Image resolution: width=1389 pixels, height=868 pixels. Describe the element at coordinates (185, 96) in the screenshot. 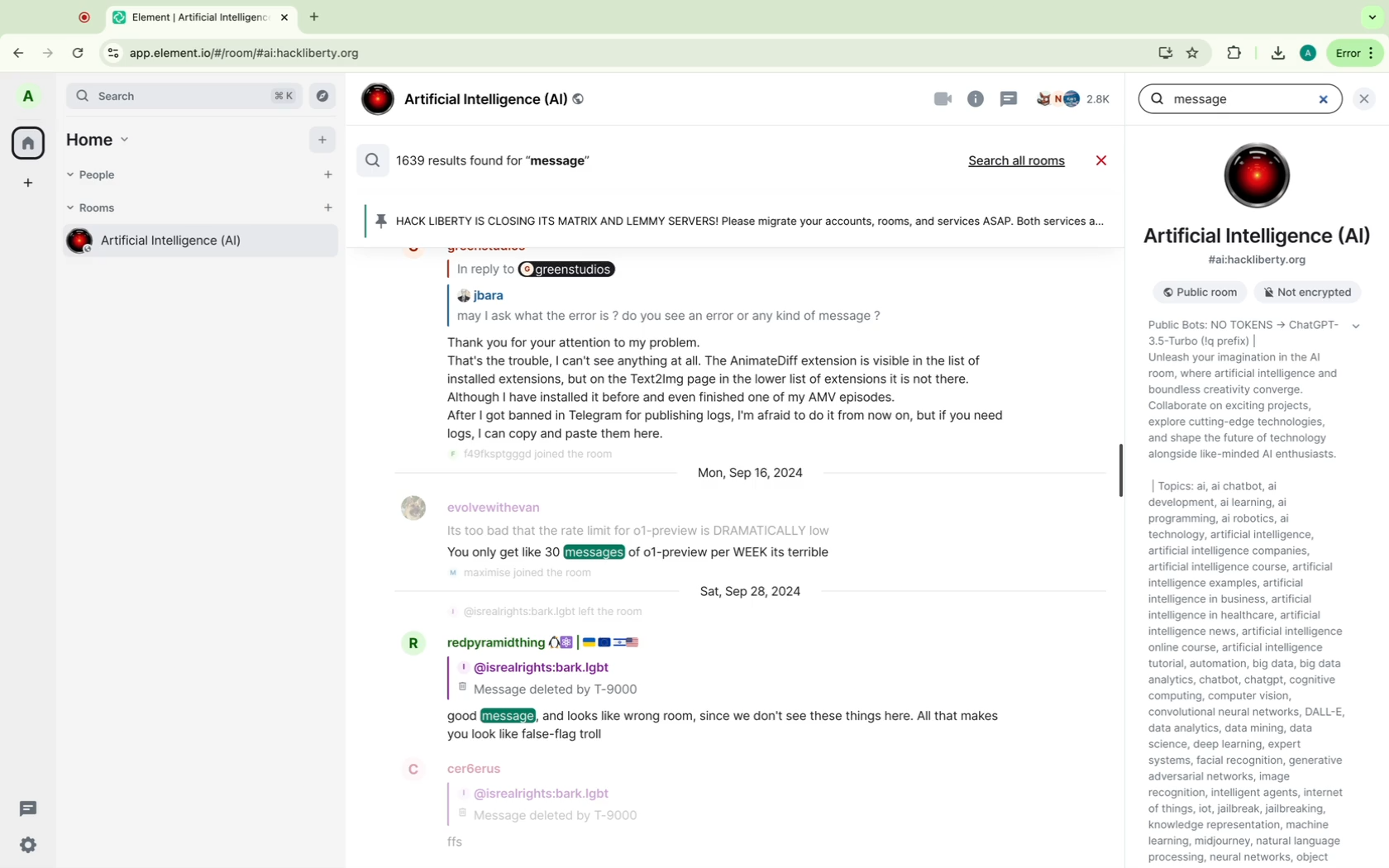

I see `search` at that location.